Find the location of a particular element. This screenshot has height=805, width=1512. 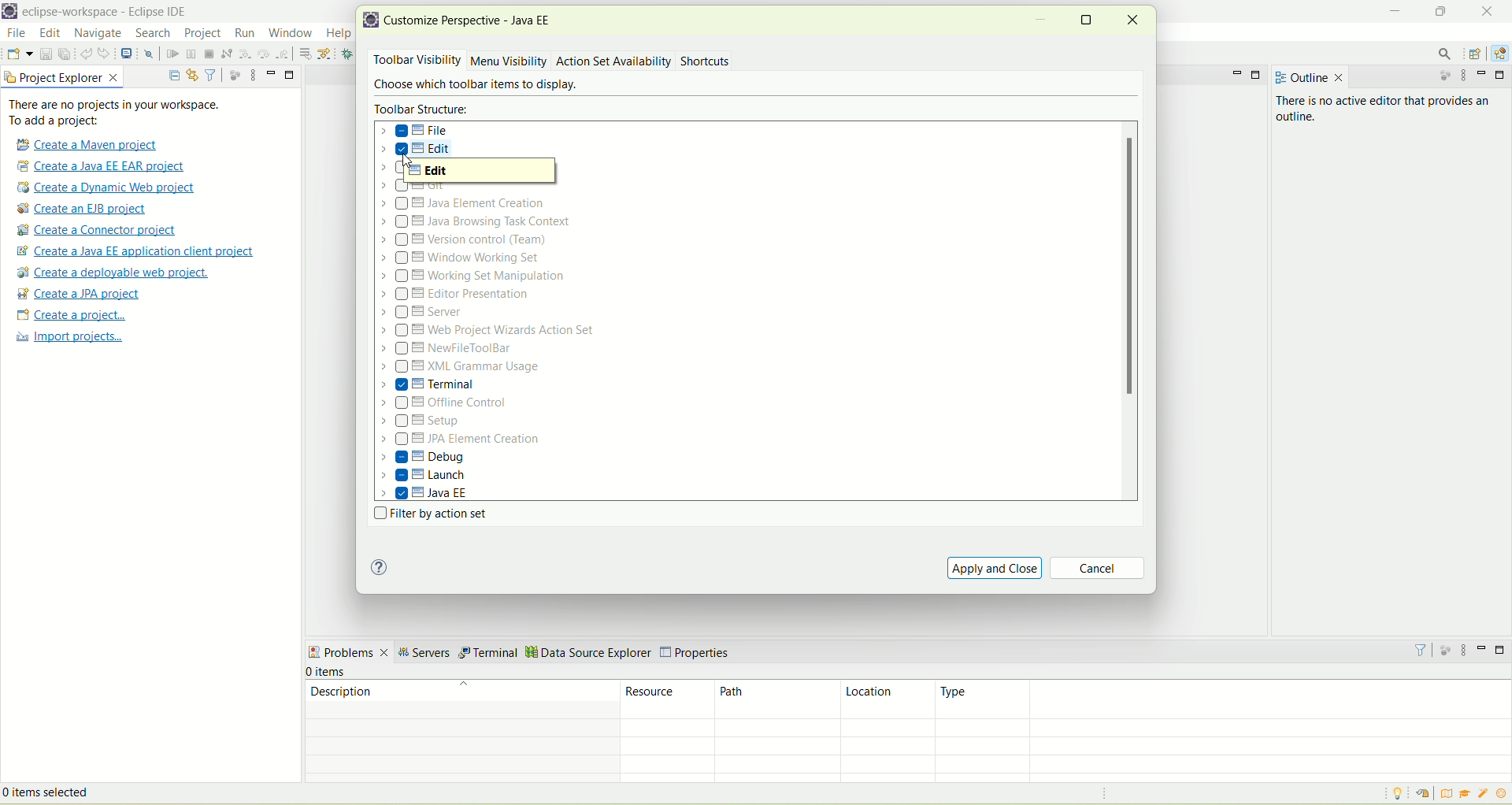

servers is located at coordinates (423, 655).